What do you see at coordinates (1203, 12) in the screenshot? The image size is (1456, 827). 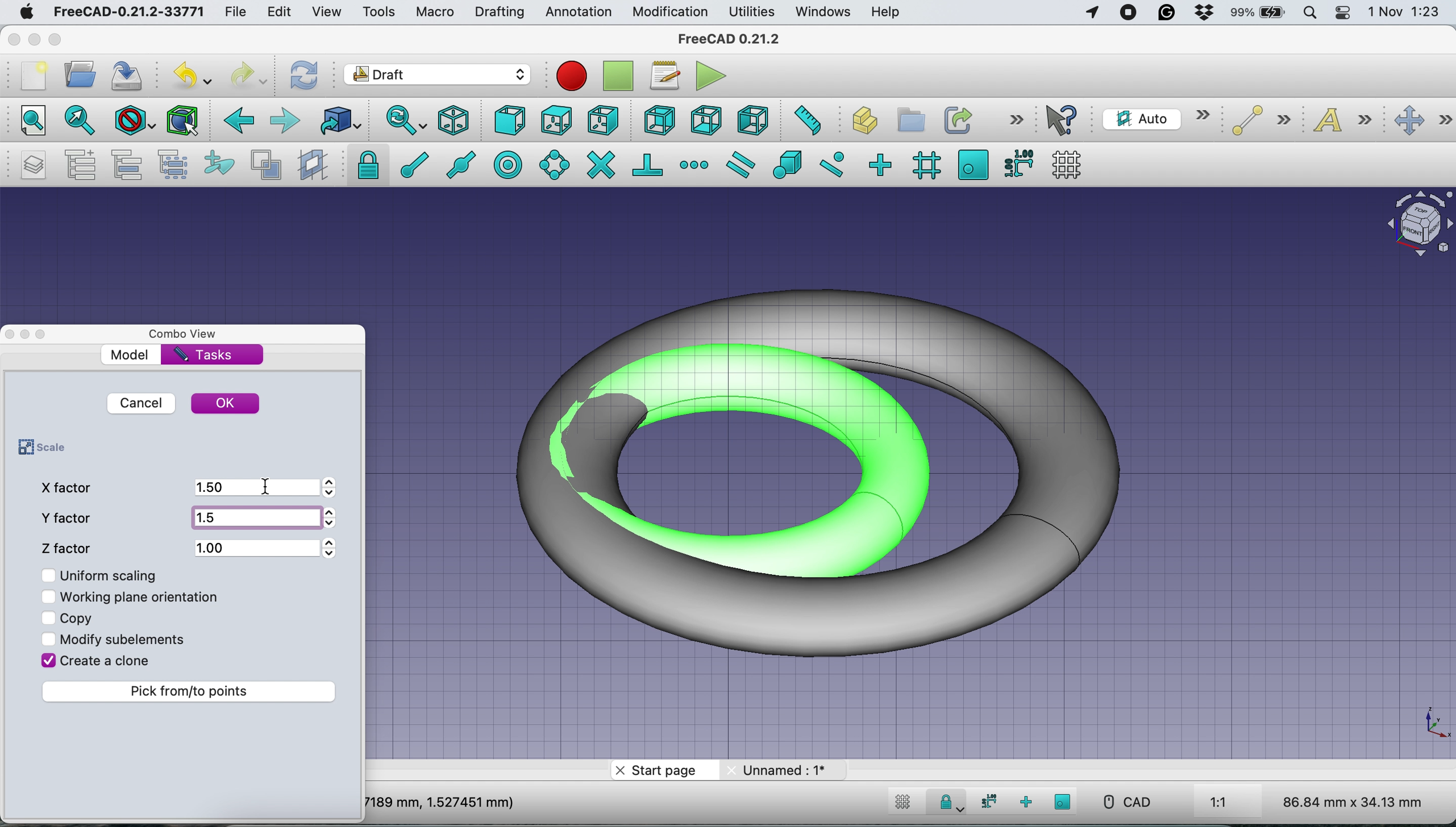 I see `dropbox` at bounding box center [1203, 12].